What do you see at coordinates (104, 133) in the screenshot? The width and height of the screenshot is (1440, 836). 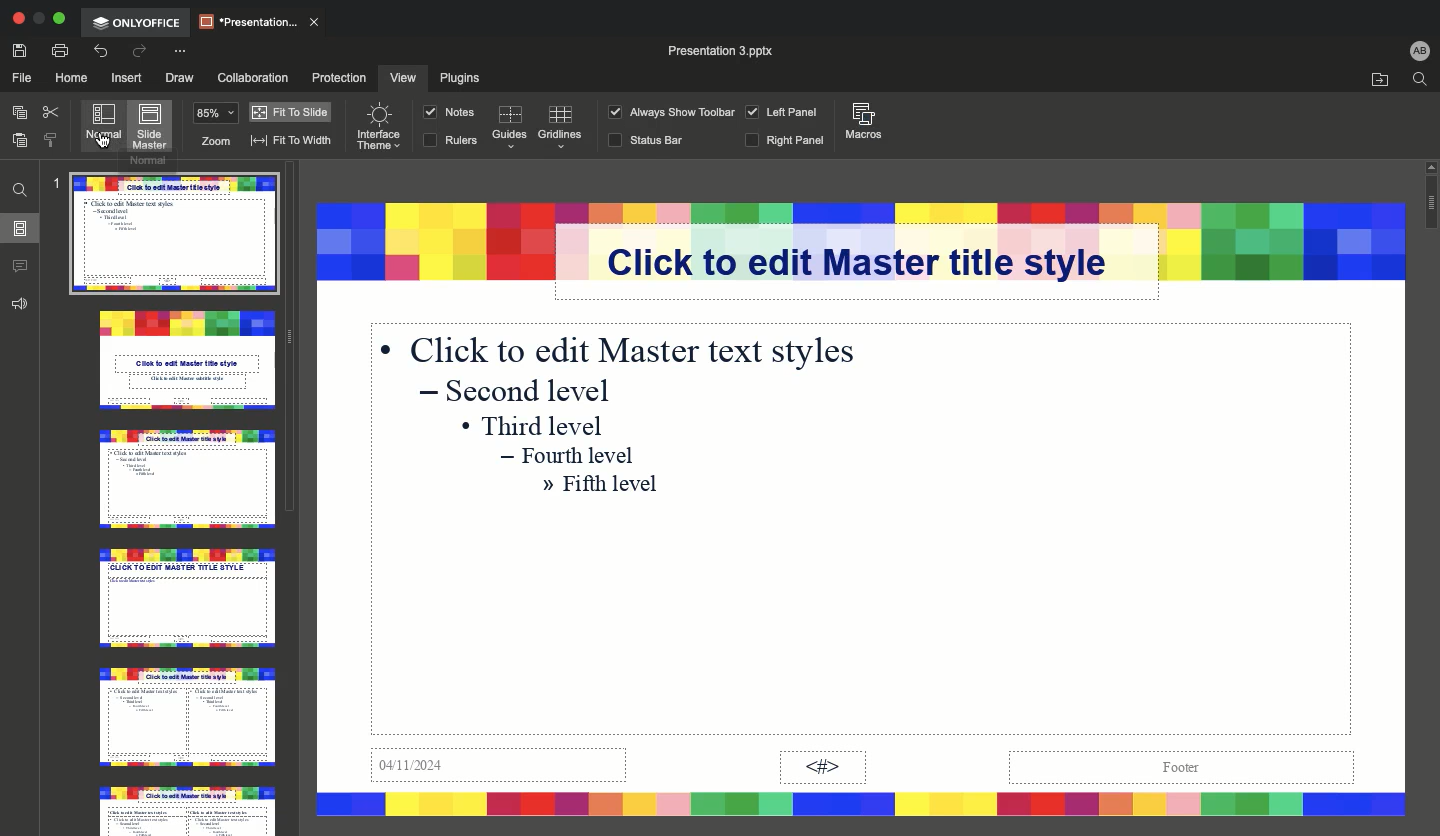 I see `Cursor` at bounding box center [104, 133].